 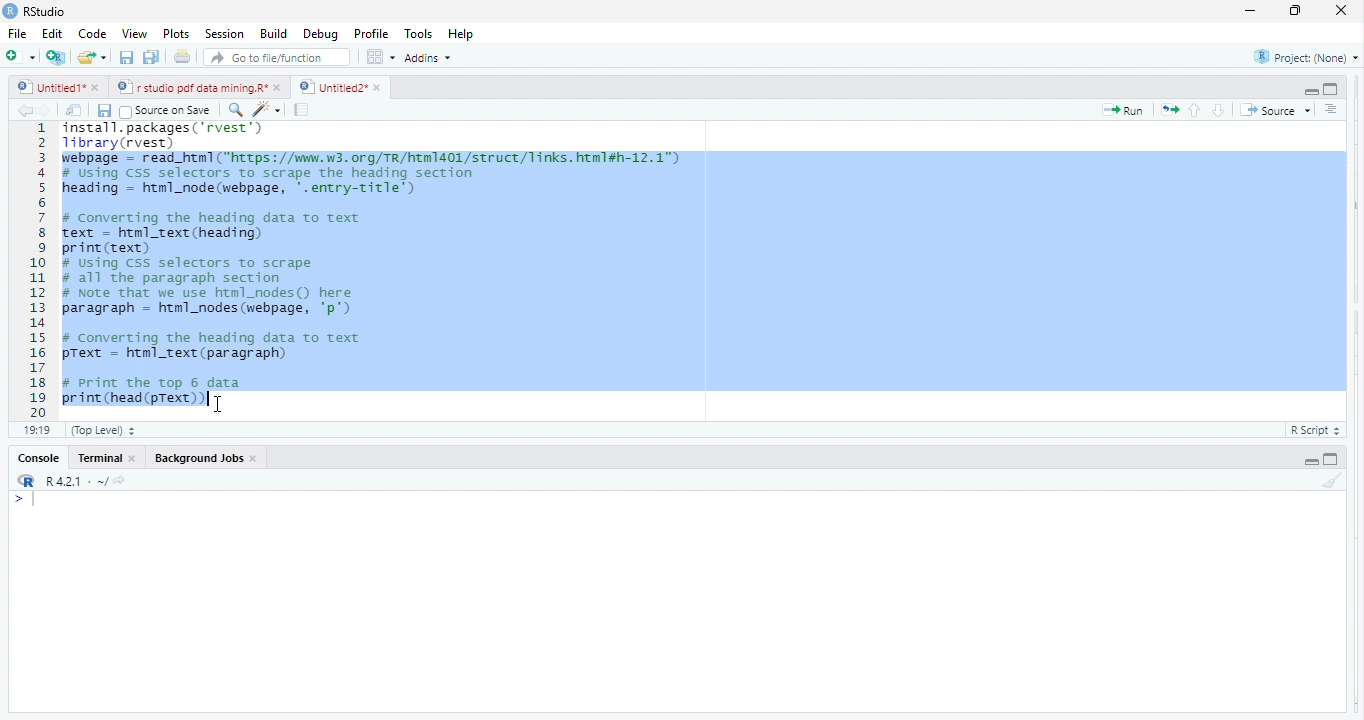 What do you see at coordinates (75, 112) in the screenshot?
I see `show in new window` at bounding box center [75, 112].